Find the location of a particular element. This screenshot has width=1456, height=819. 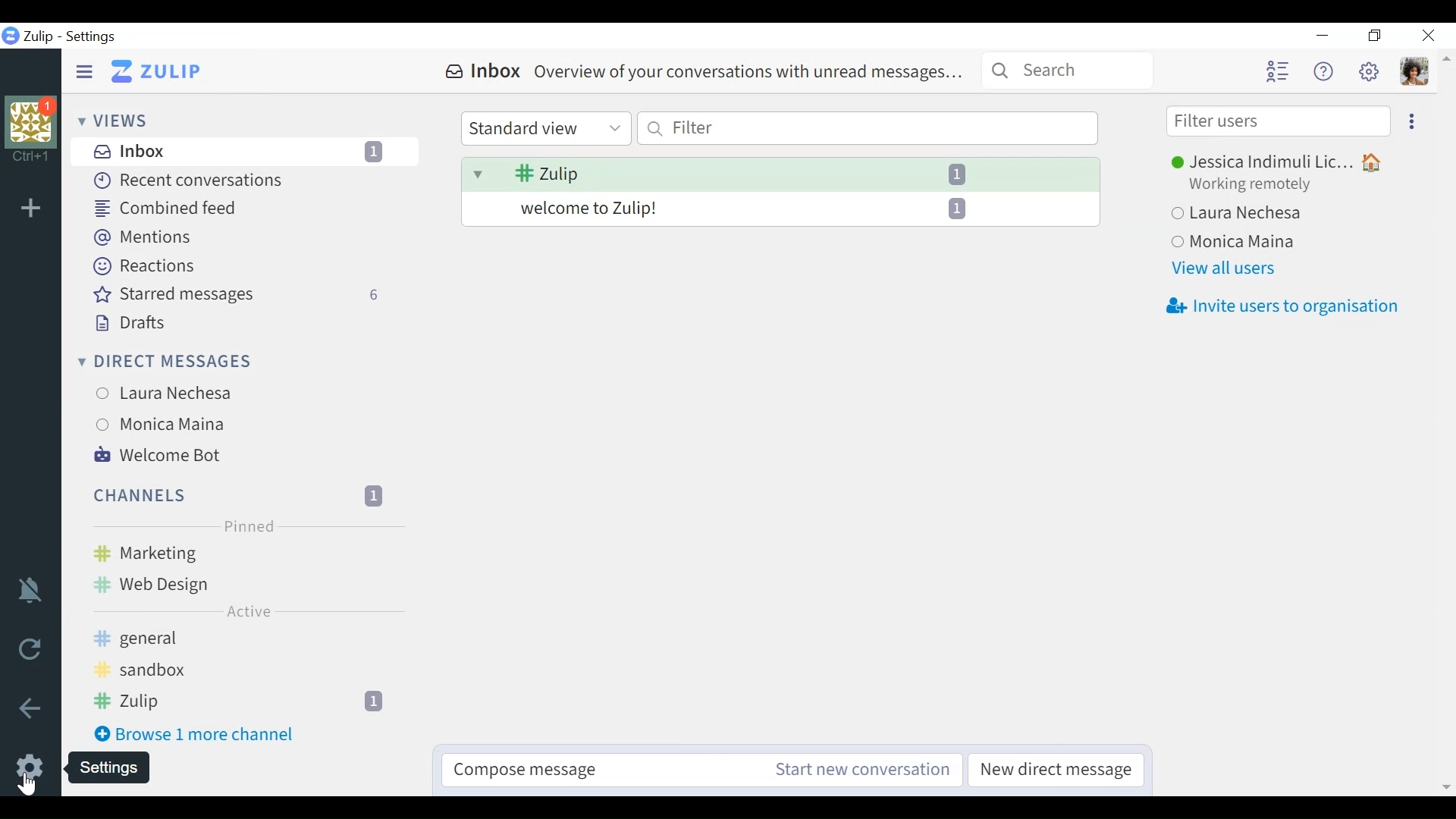

Personal menu is located at coordinates (1414, 71).